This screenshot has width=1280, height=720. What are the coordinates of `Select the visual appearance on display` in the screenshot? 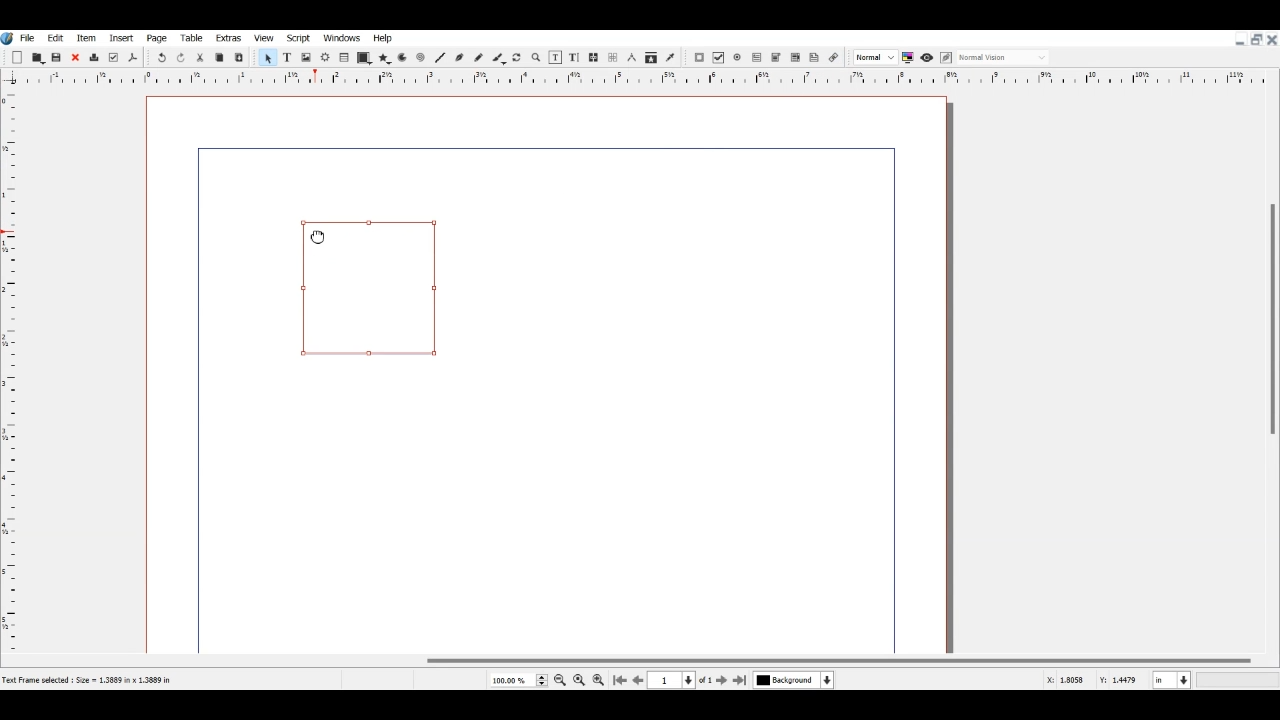 It's located at (1004, 56).